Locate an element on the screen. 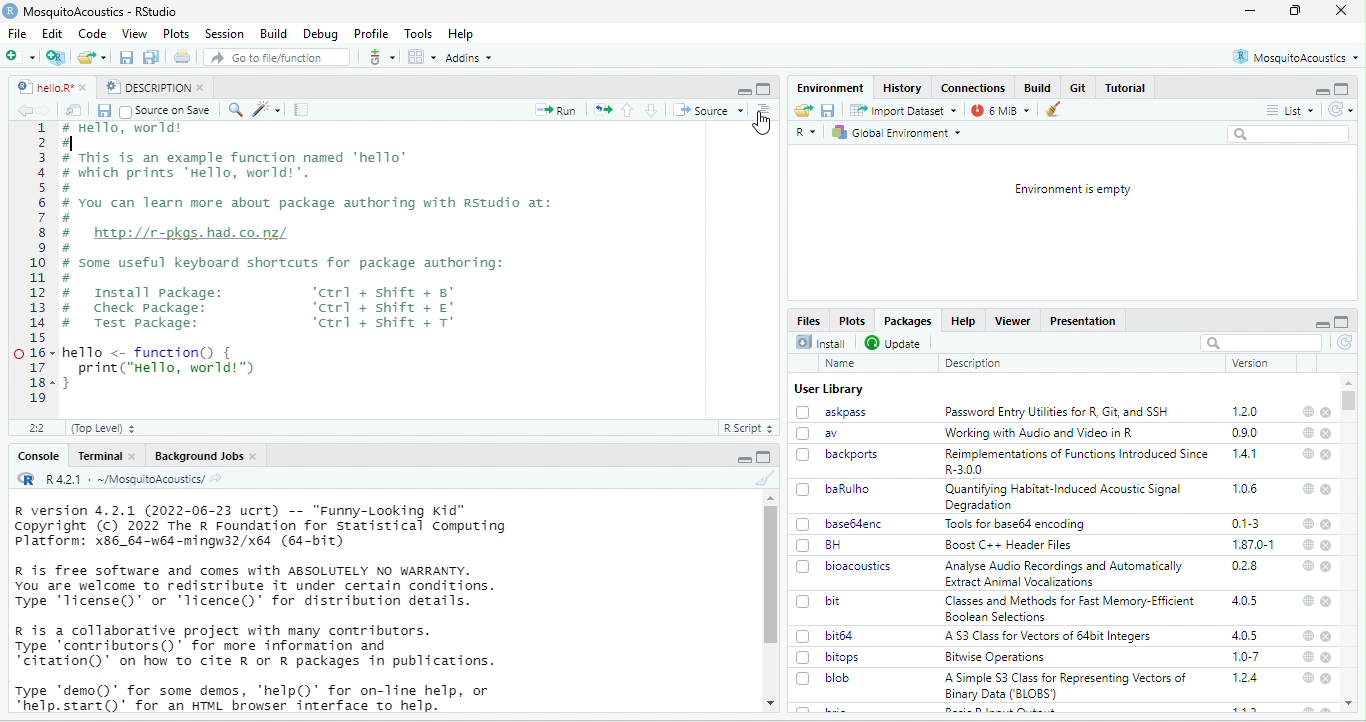 This screenshot has height=722, width=1366. Clear workspace is located at coordinates (1057, 109).